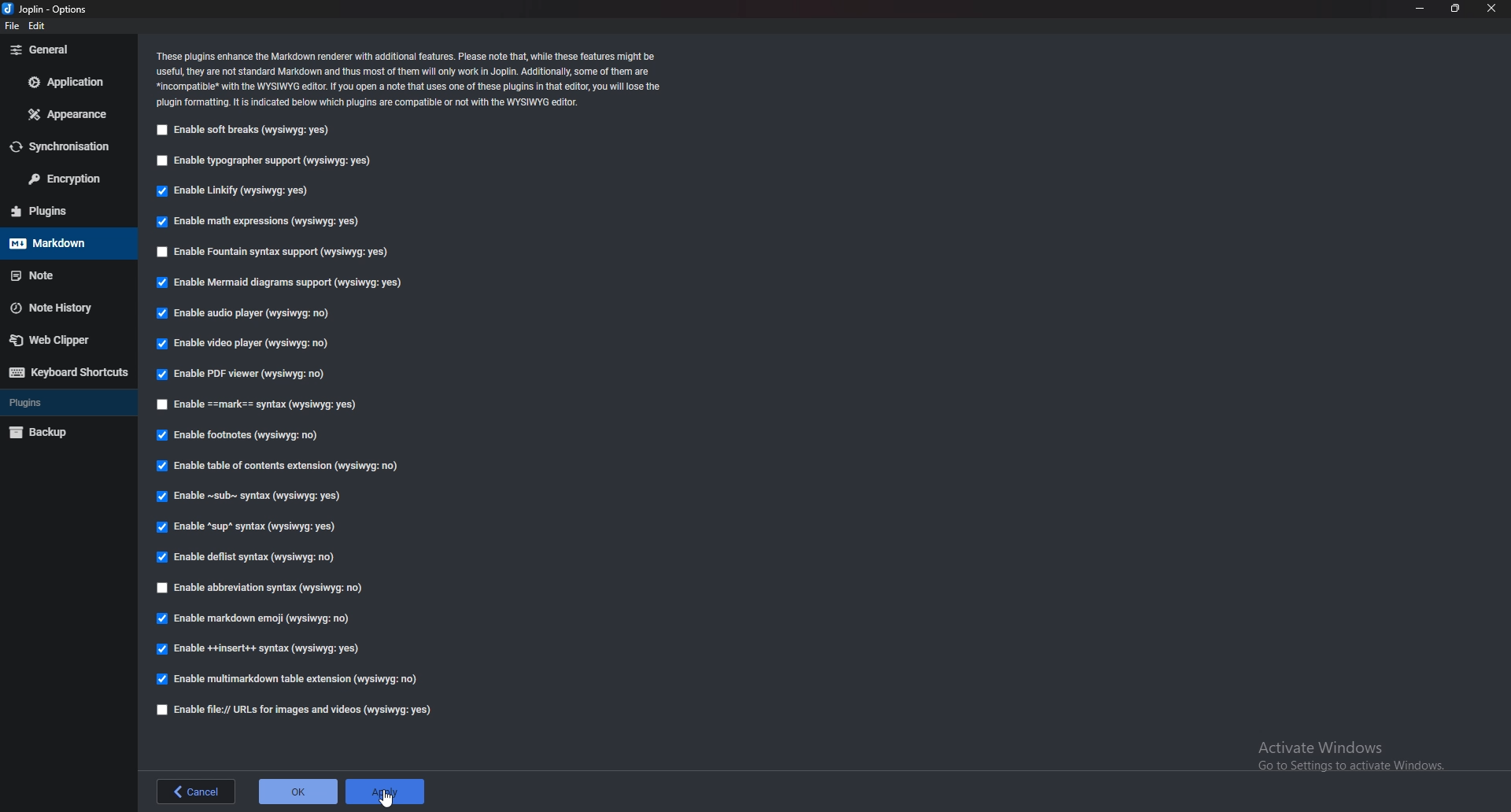 This screenshot has height=812, width=1511. What do you see at coordinates (290, 679) in the screenshot?
I see `enable multi markdown table extension` at bounding box center [290, 679].